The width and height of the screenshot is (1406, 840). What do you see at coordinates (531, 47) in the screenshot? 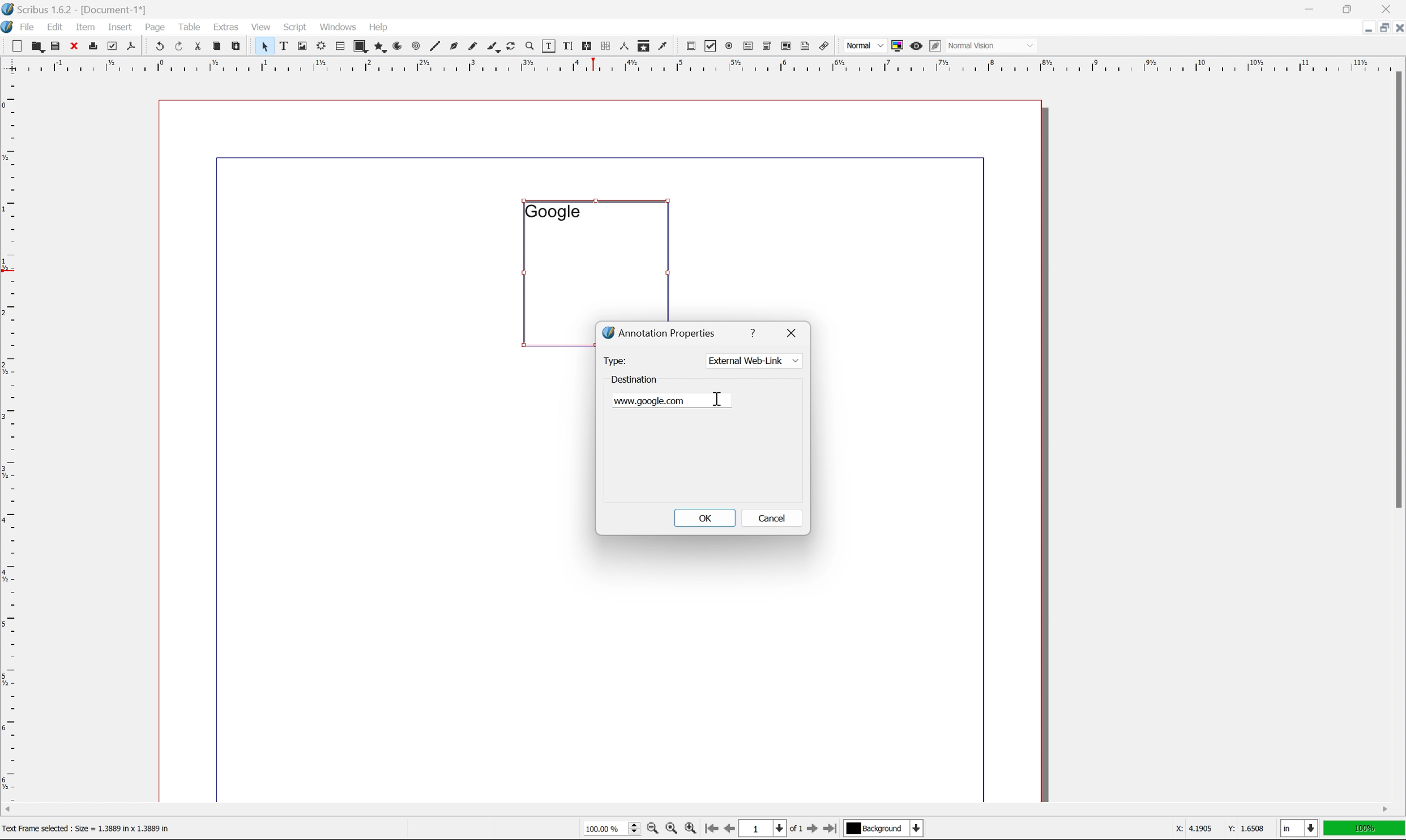
I see `zoom in or zoom out` at bounding box center [531, 47].